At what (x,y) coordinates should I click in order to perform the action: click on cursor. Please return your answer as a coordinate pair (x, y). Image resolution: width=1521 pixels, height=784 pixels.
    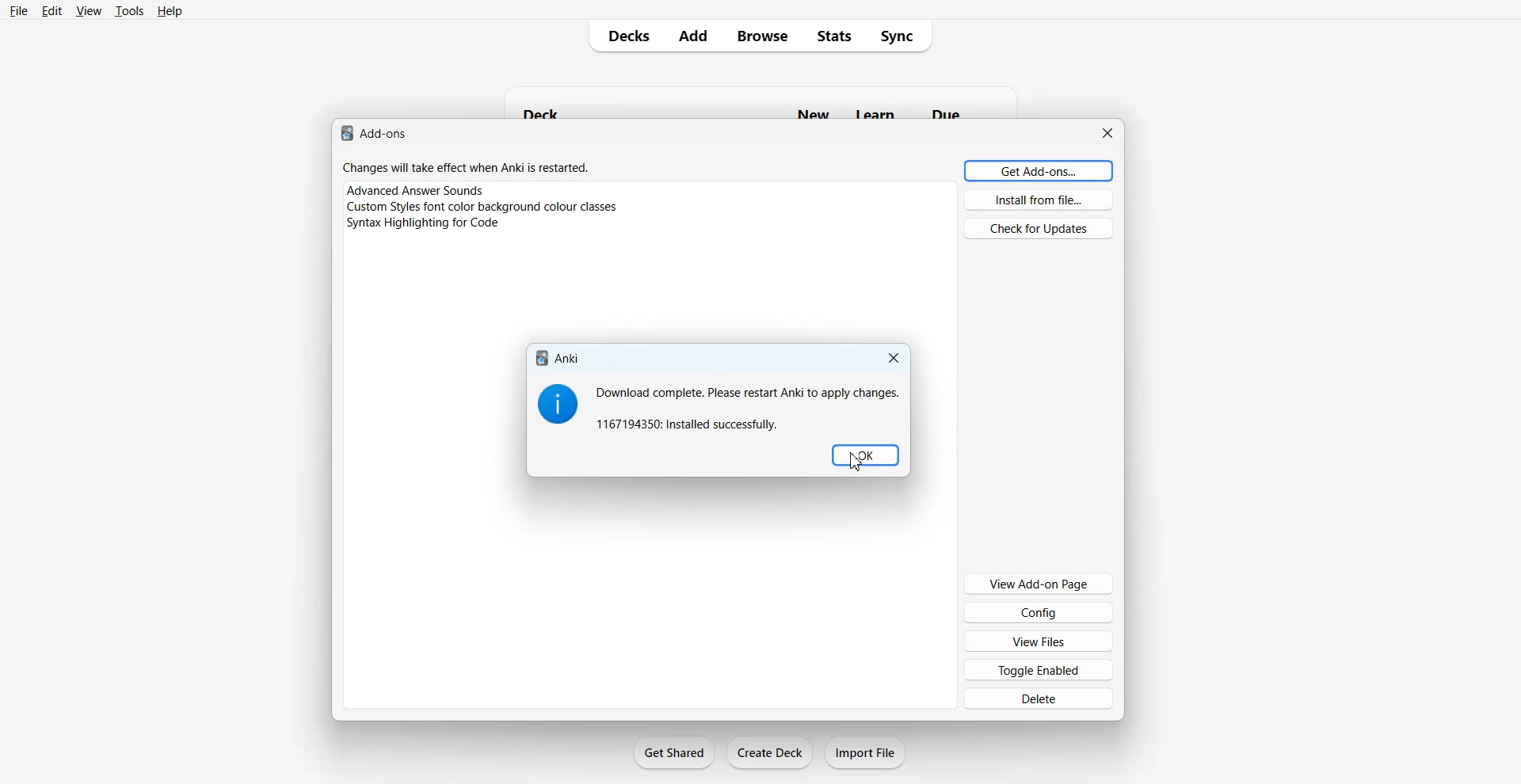
    Looking at the image, I should click on (859, 468).